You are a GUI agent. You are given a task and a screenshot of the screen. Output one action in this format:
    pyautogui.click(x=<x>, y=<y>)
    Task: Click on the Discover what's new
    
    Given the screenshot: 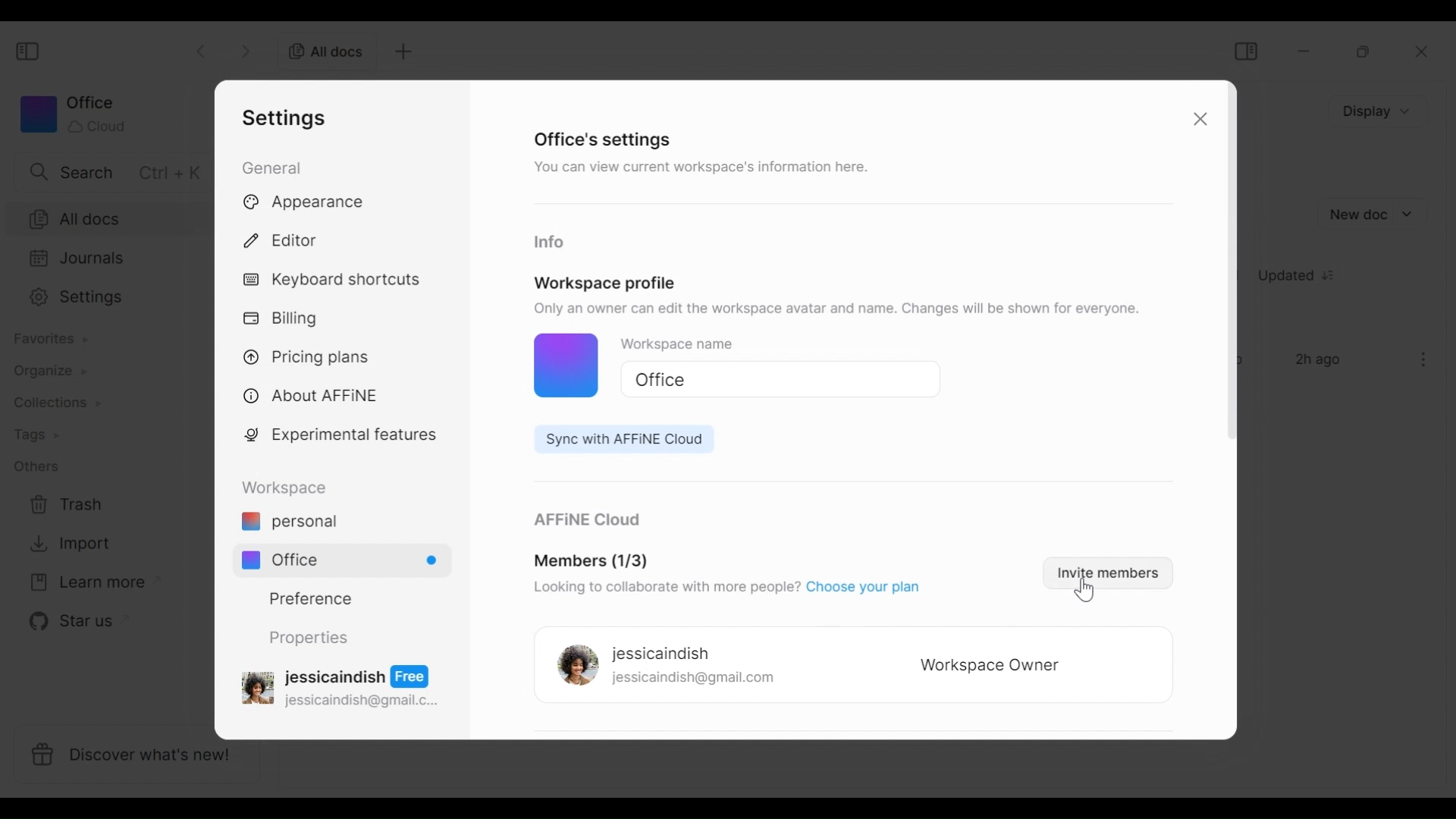 What is the action you would take?
    pyautogui.click(x=143, y=758)
    